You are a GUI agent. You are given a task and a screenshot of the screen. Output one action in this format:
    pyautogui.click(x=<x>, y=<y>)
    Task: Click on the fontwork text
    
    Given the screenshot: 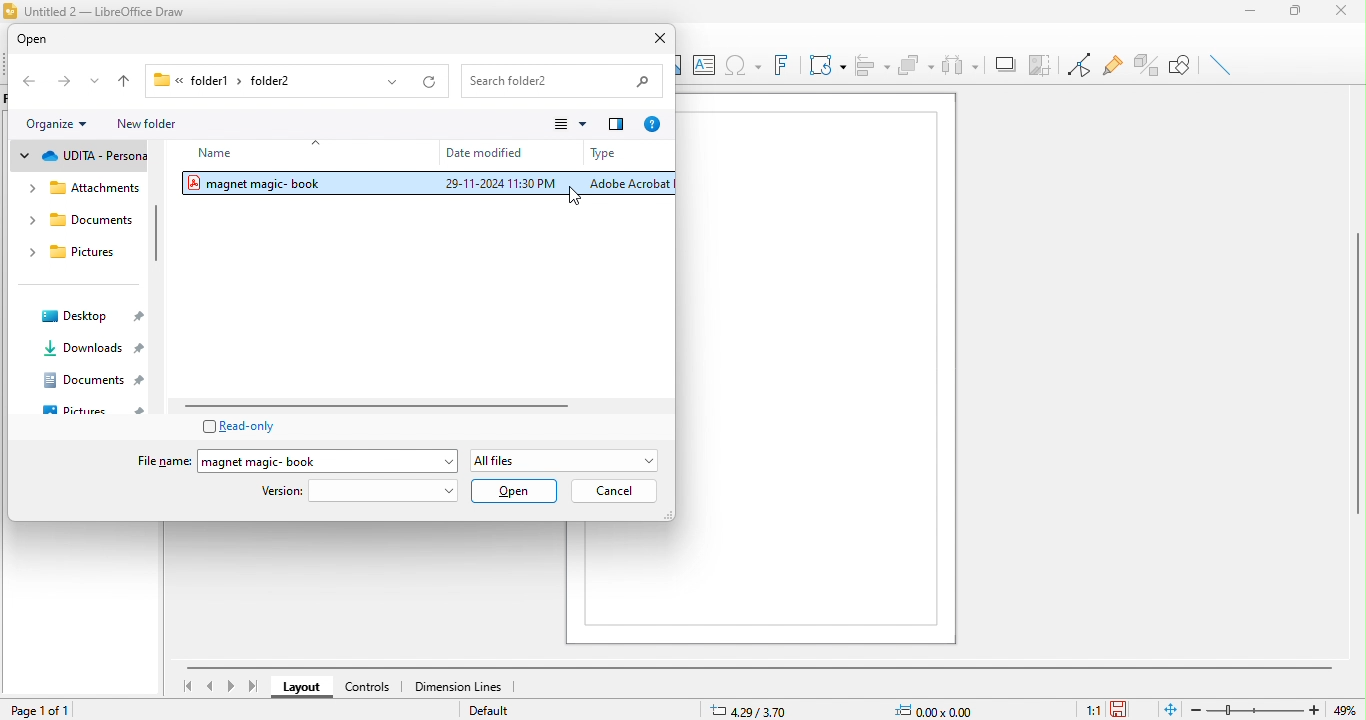 What is the action you would take?
    pyautogui.click(x=780, y=66)
    